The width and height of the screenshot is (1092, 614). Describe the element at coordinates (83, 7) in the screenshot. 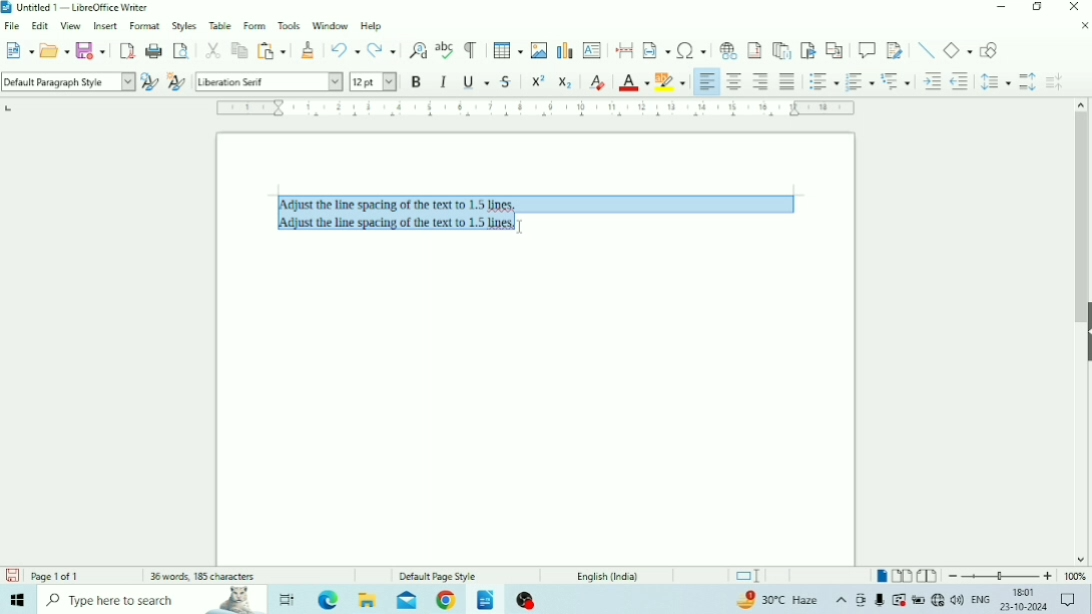

I see `Title` at that location.